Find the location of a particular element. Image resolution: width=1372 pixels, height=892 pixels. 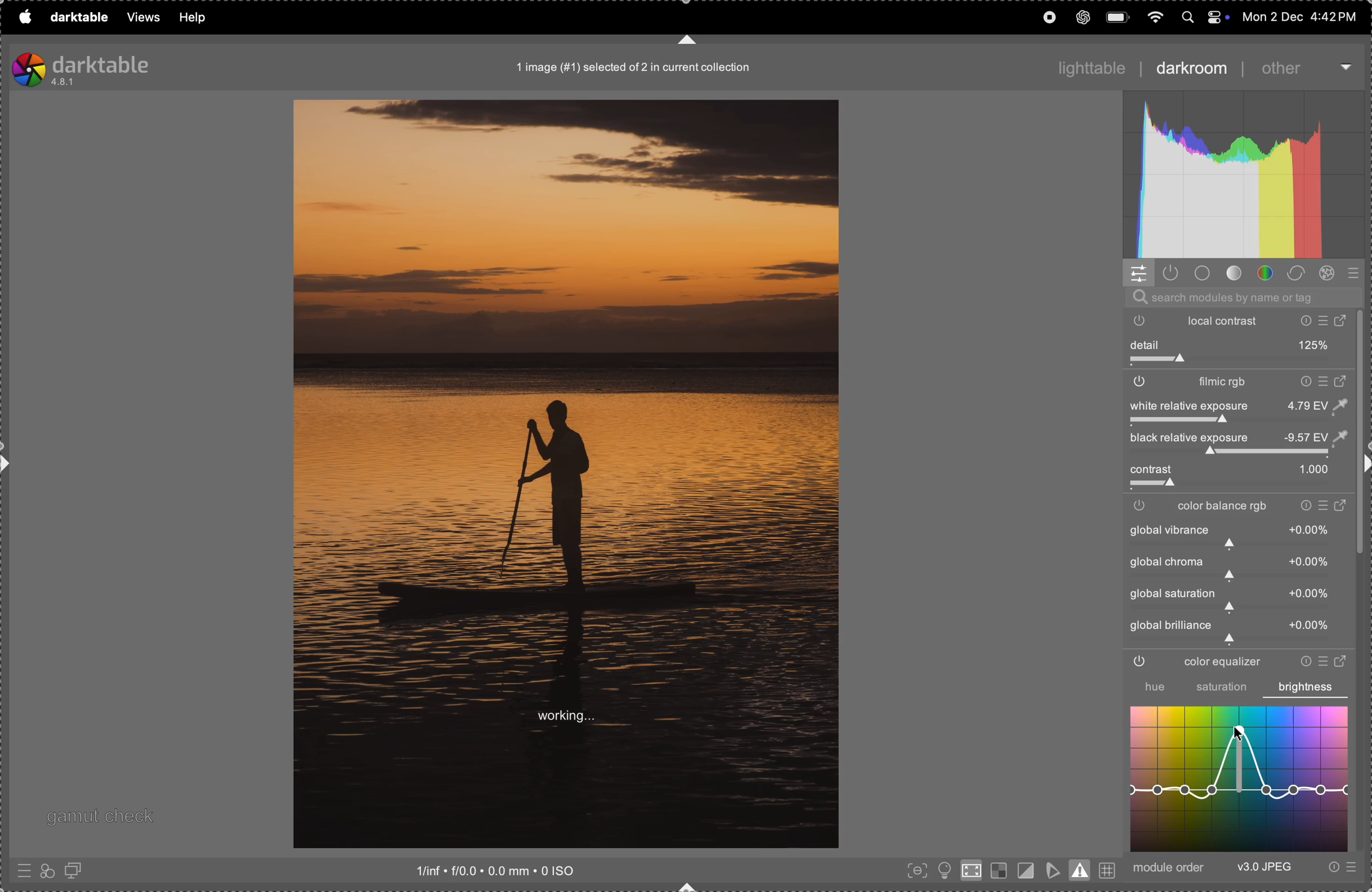

toggle iso is located at coordinates (970, 873).